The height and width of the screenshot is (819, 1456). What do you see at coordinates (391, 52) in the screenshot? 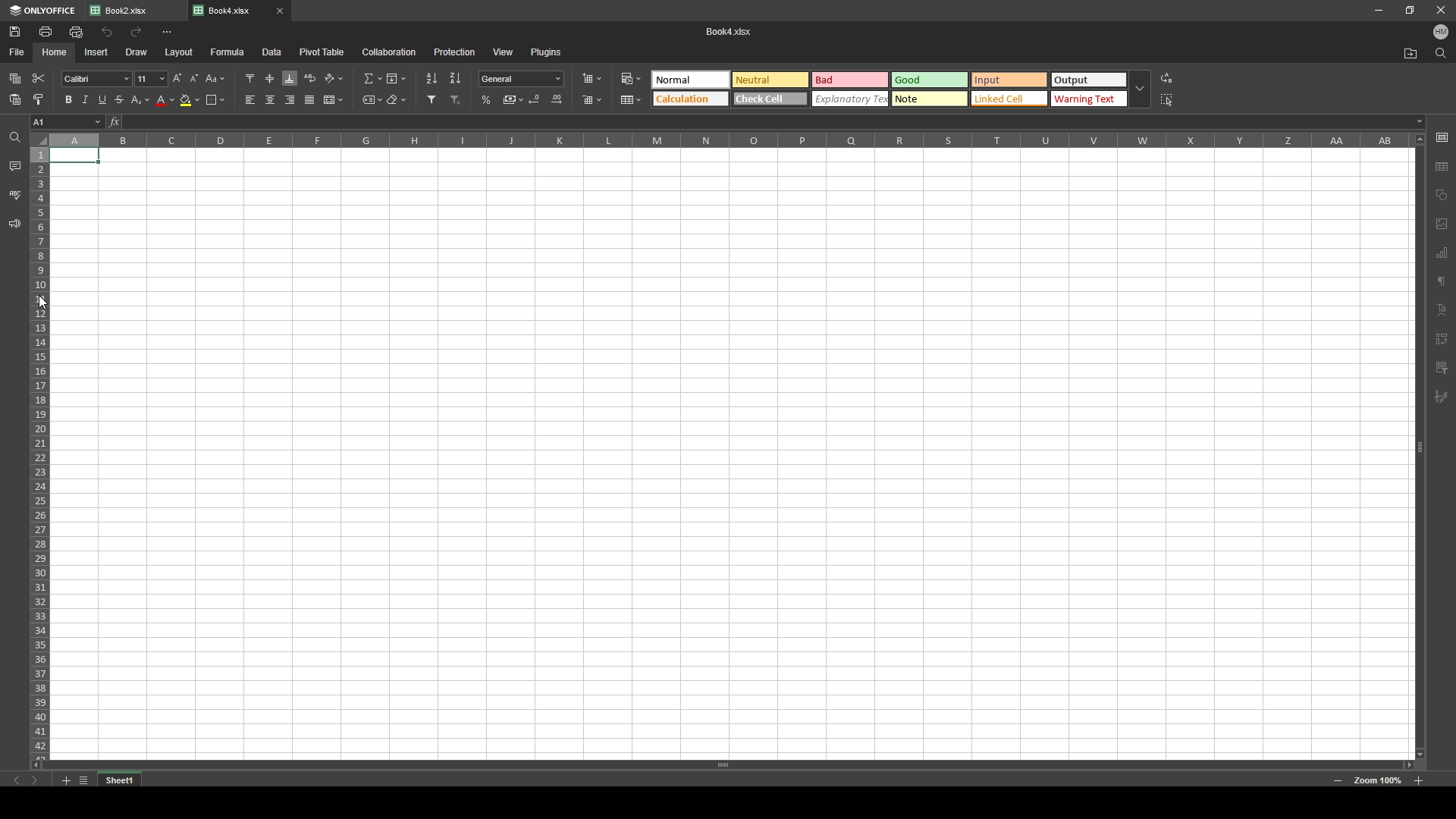
I see `collaboration` at bounding box center [391, 52].